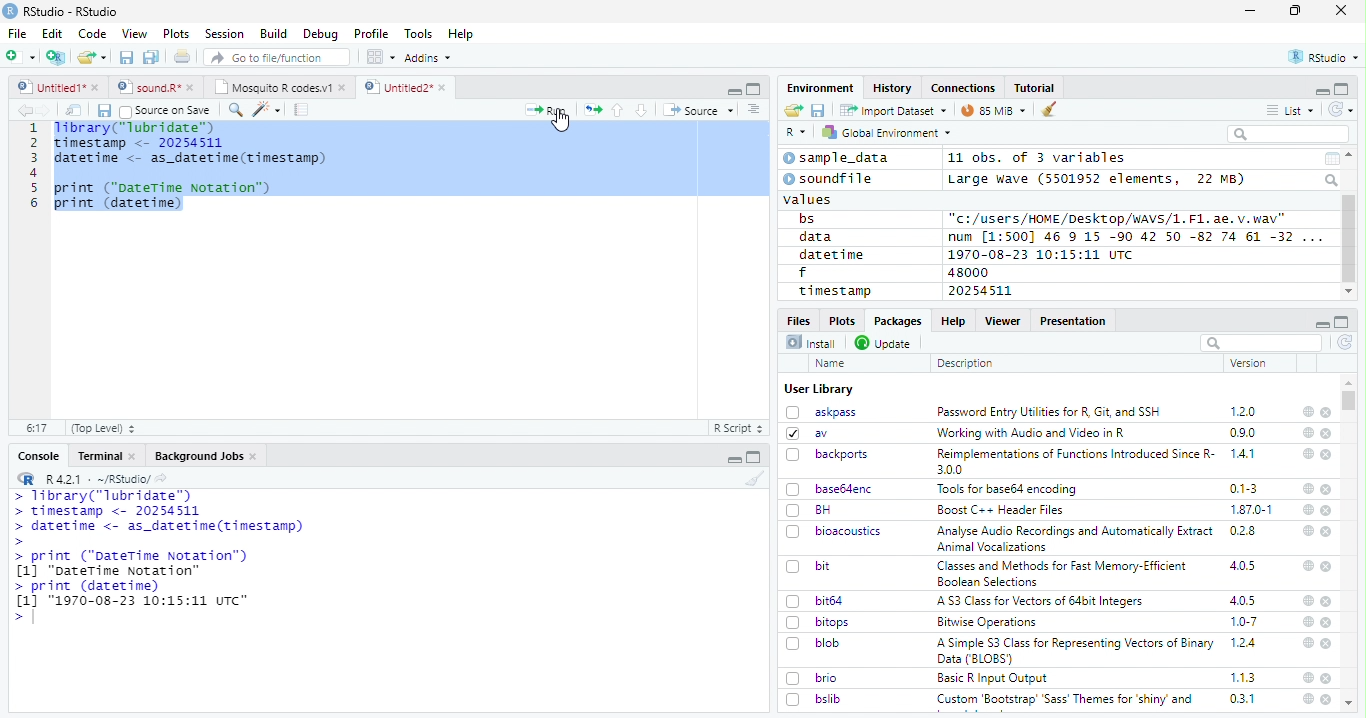 The width and height of the screenshot is (1366, 718). I want to click on > library("lubridate™)

> Timestamp <- 20254511

> datetime <- as_datetime(timestamp)
>

> print ("DateTime Notation")

[1] "DateTime Notation”

> print_(datetime)

[1] "1970-08-23 10:15:11 utc”

>, so click(157, 558).